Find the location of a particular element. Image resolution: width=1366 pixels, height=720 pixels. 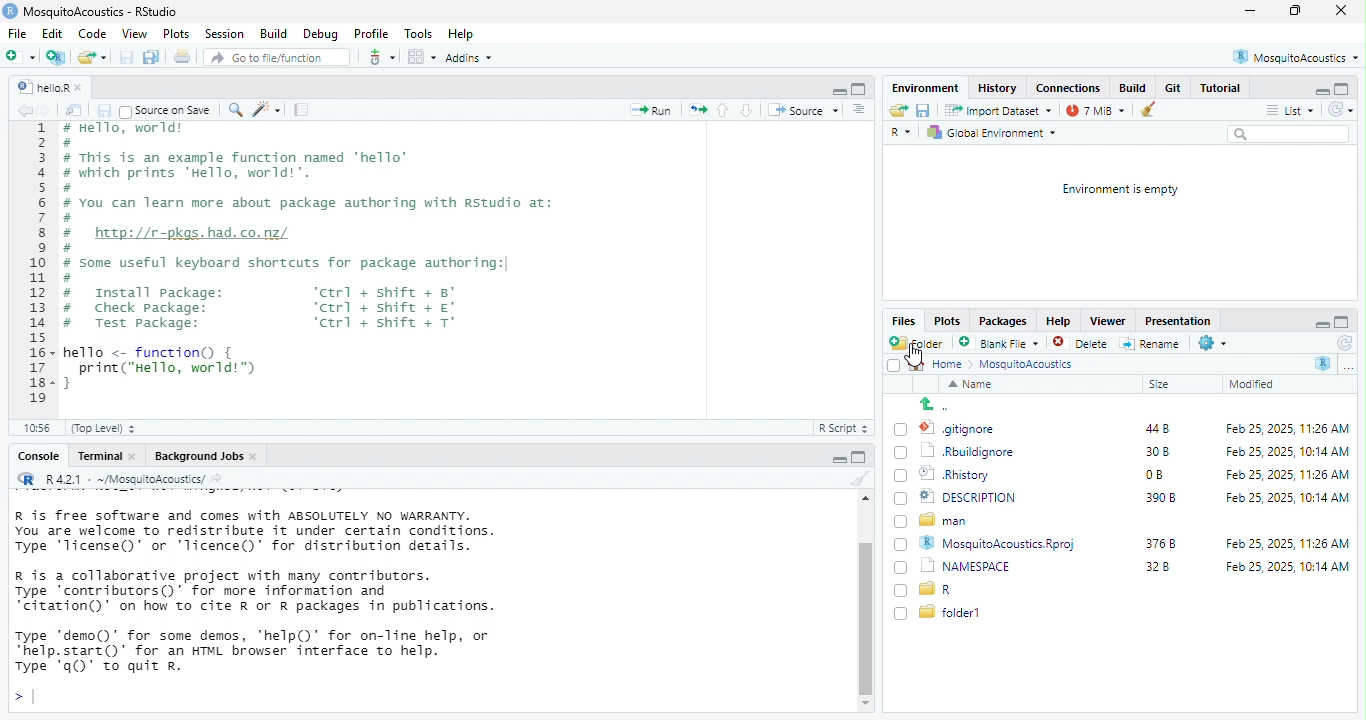

 Environment is located at coordinates (926, 87).